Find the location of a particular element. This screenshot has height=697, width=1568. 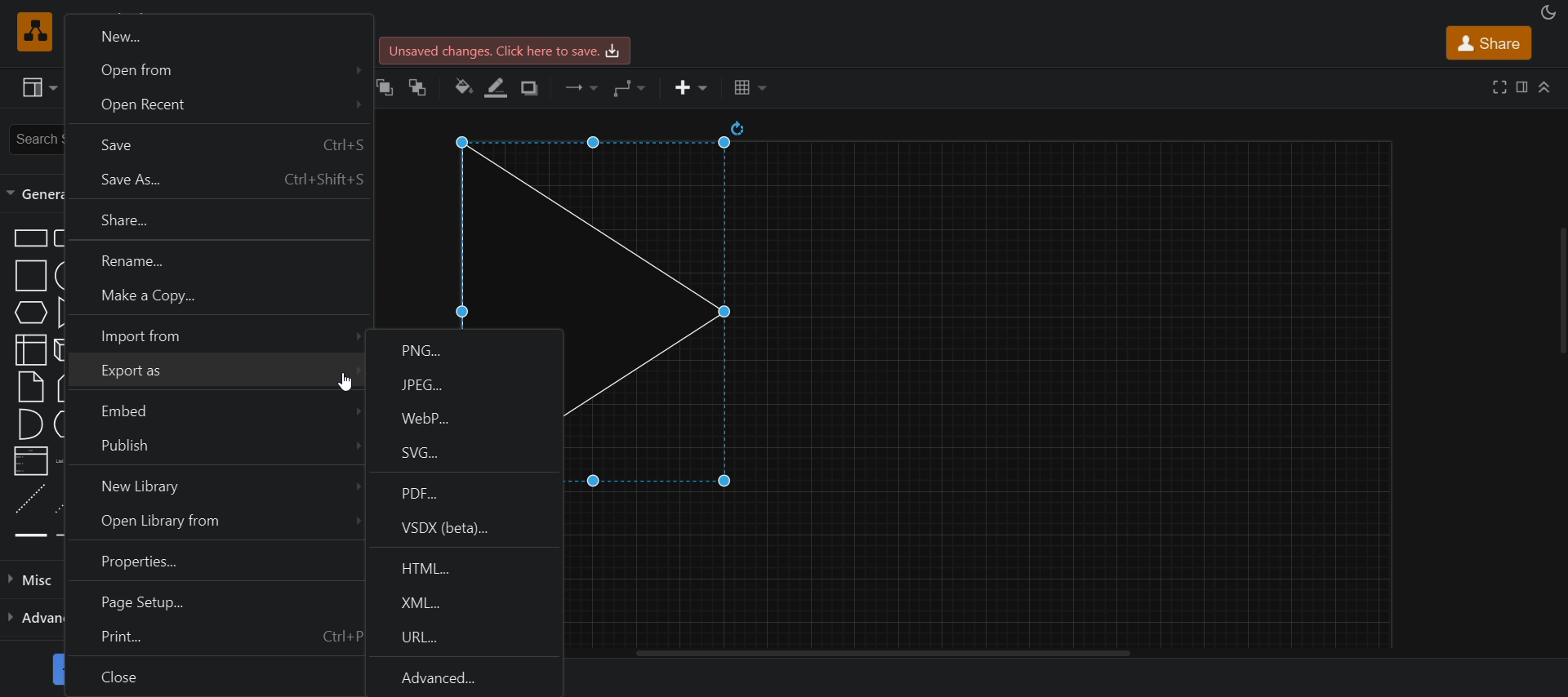

html is located at coordinates (467, 565).